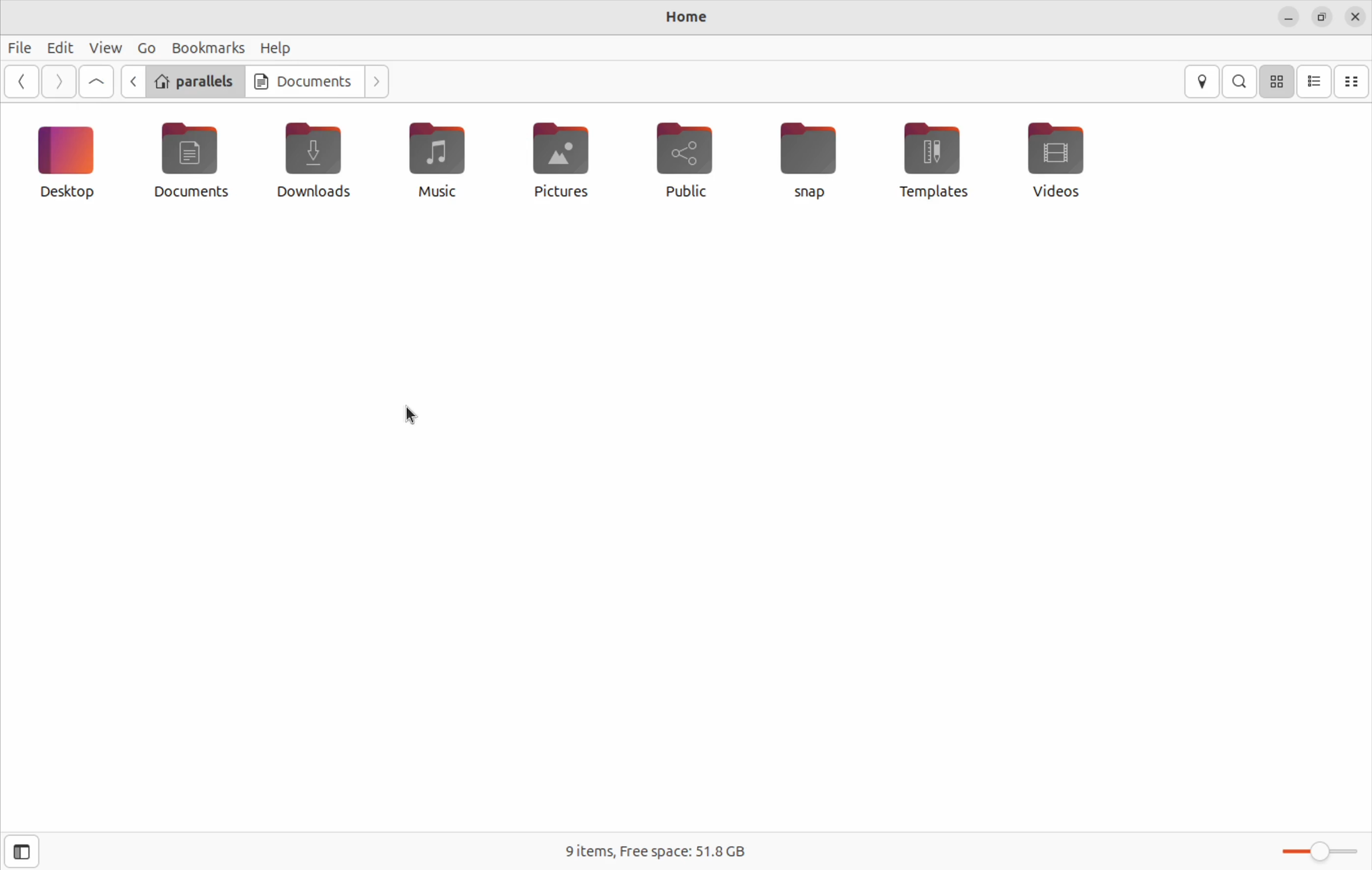  Describe the element at coordinates (451, 161) in the screenshot. I see `music` at that location.